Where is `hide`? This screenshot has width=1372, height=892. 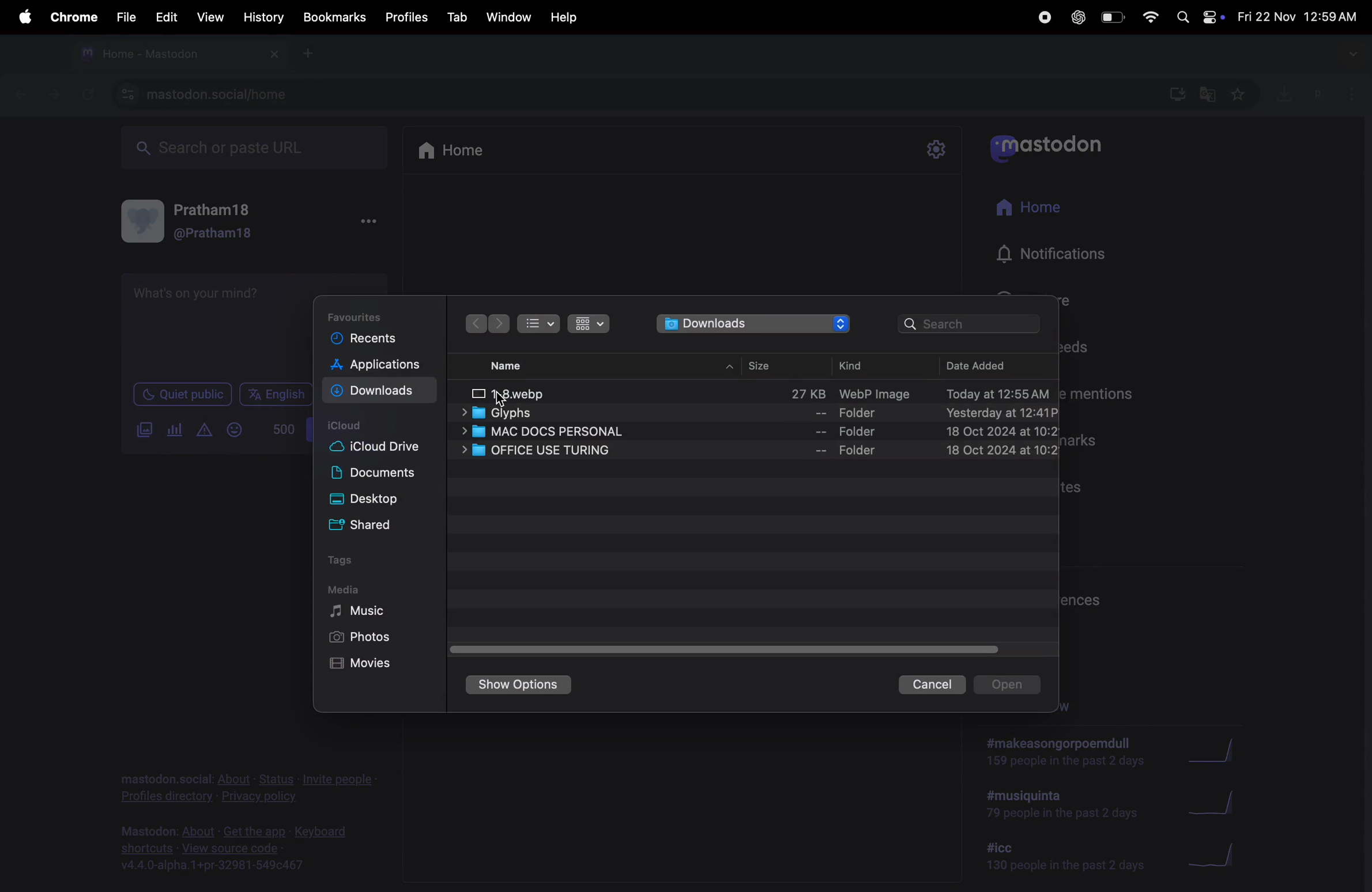
hide is located at coordinates (731, 368).